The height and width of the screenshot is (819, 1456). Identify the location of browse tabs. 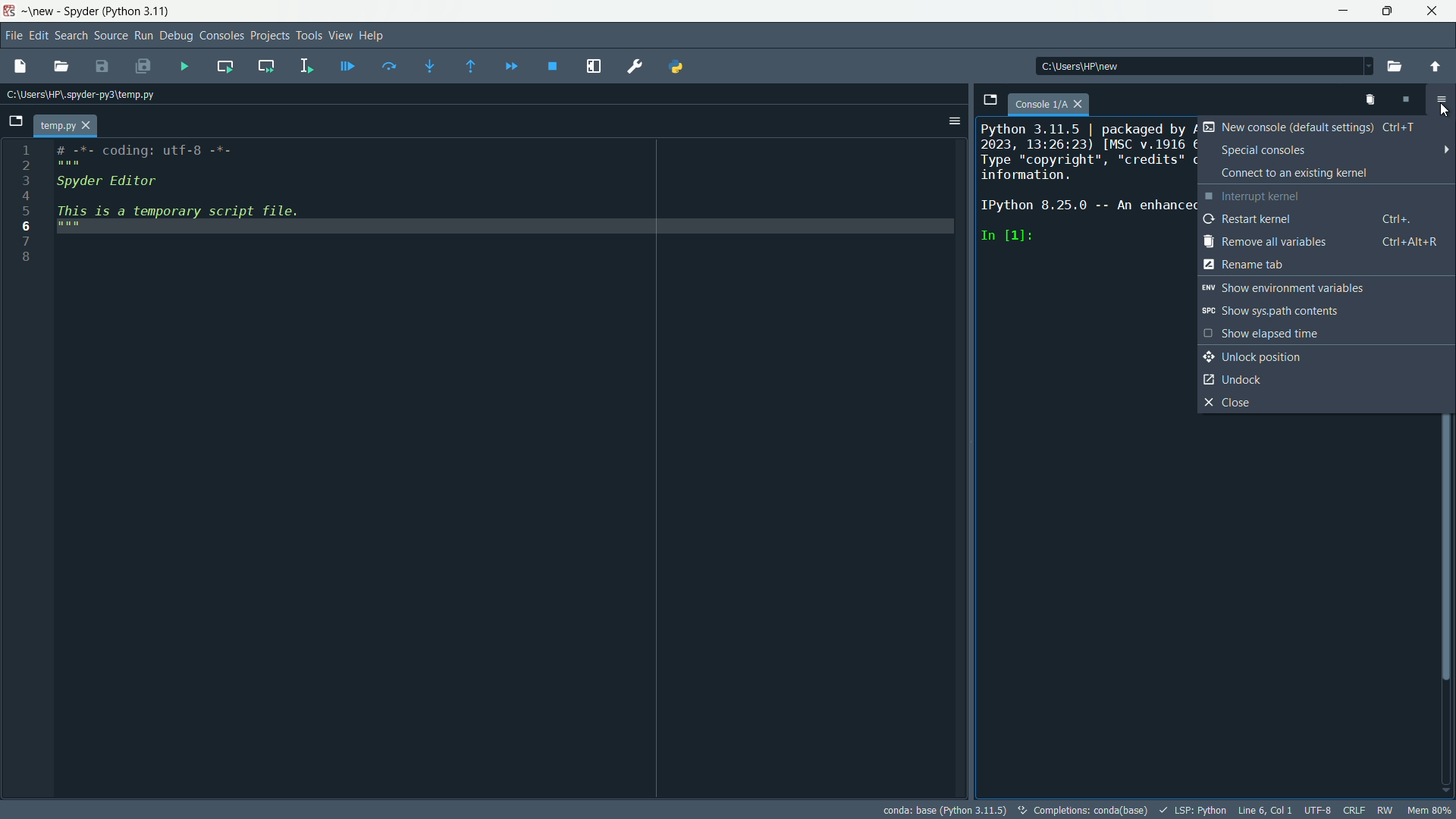
(14, 122).